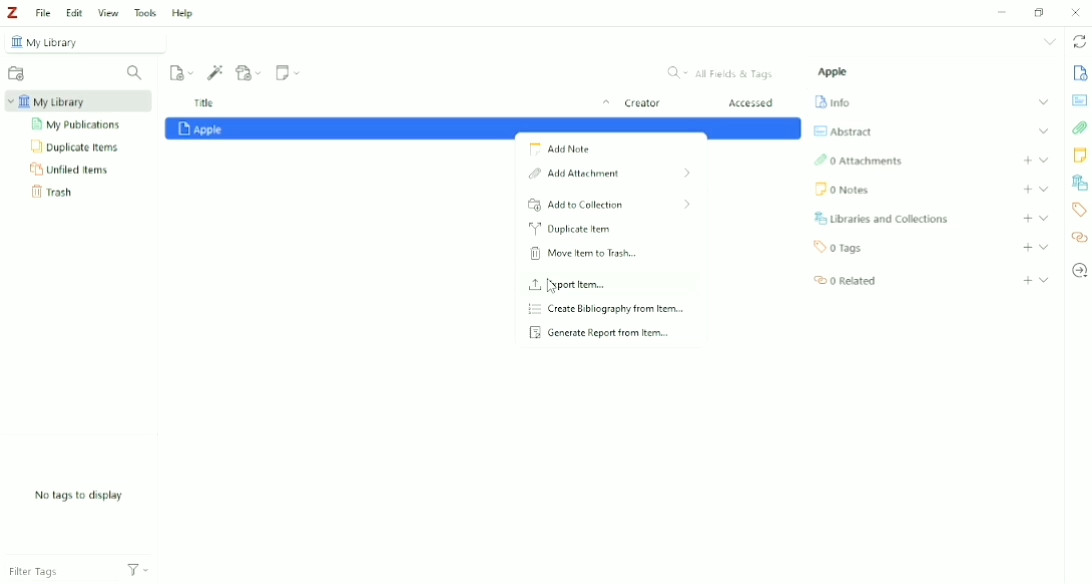 The width and height of the screenshot is (1092, 584). What do you see at coordinates (1079, 183) in the screenshot?
I see `Libraries and Collections` at bounding box center [1079, 183].